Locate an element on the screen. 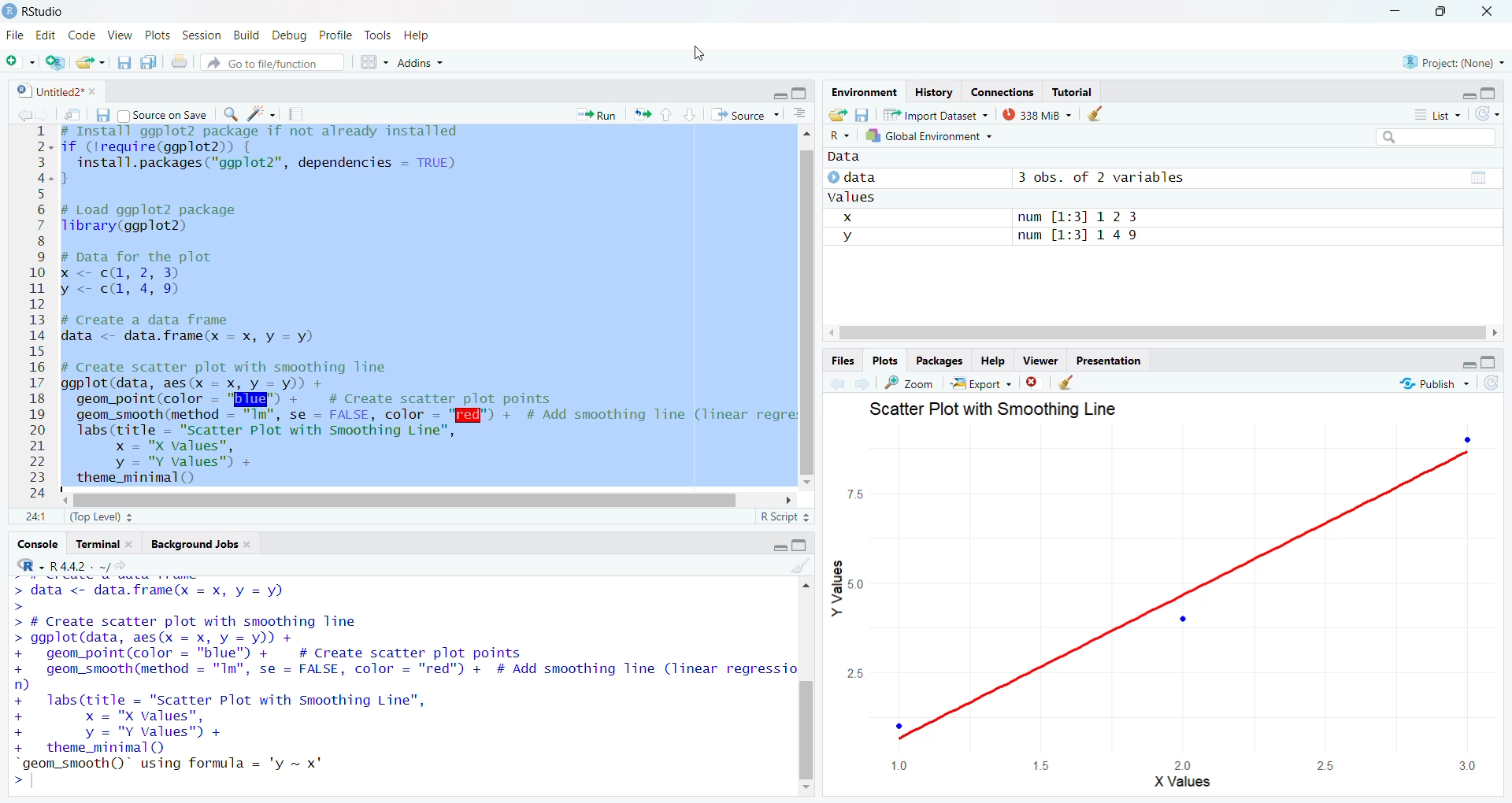  y values is located at coordinates (839, 593).